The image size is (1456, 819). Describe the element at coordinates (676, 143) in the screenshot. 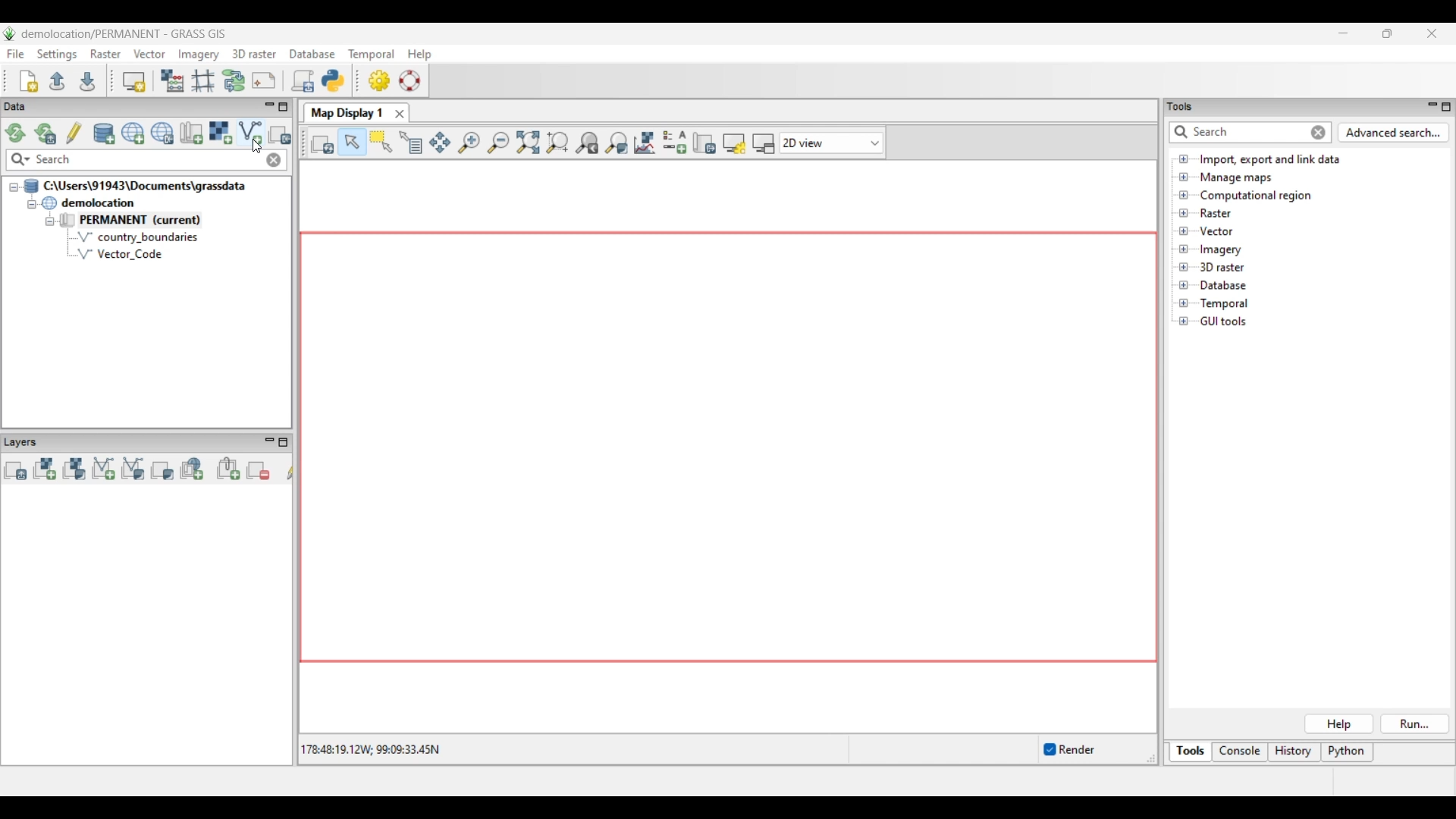

I see `Add map elements` at that location.